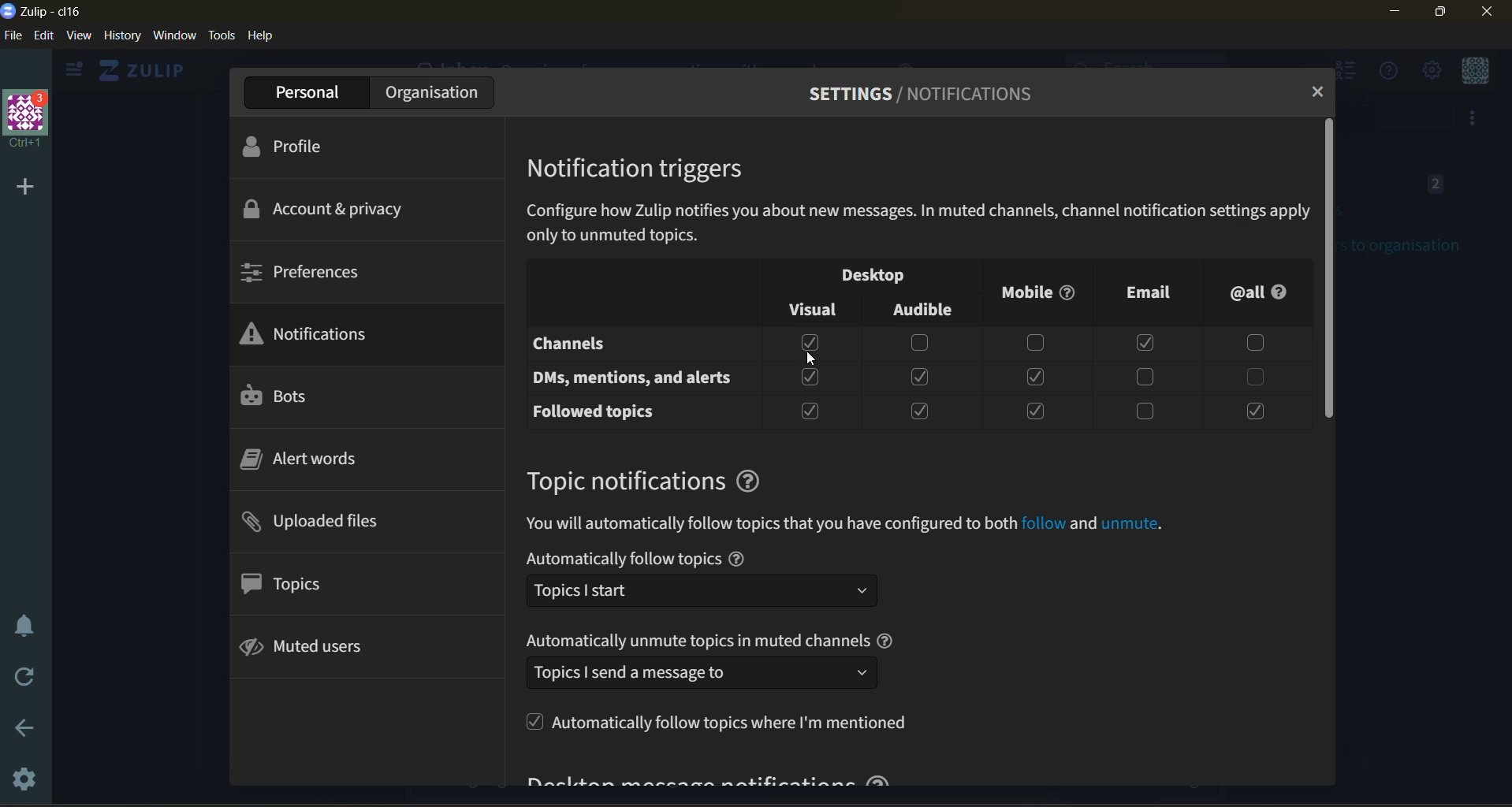 This screenshot has width=1512, height=807. I want to click on unmute, so click(1131, 525).